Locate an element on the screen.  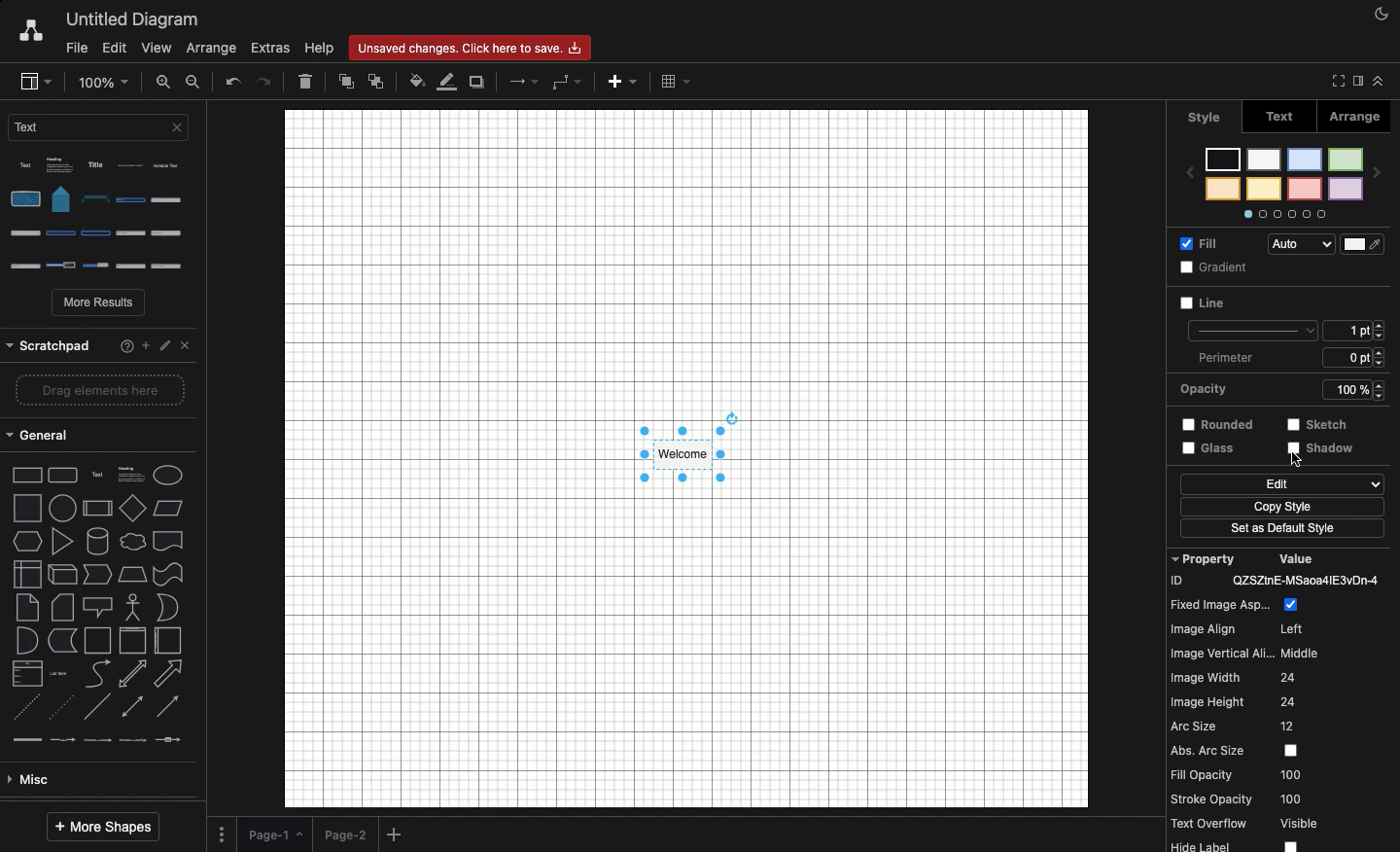
Misc is located at coordinates (95, 607).